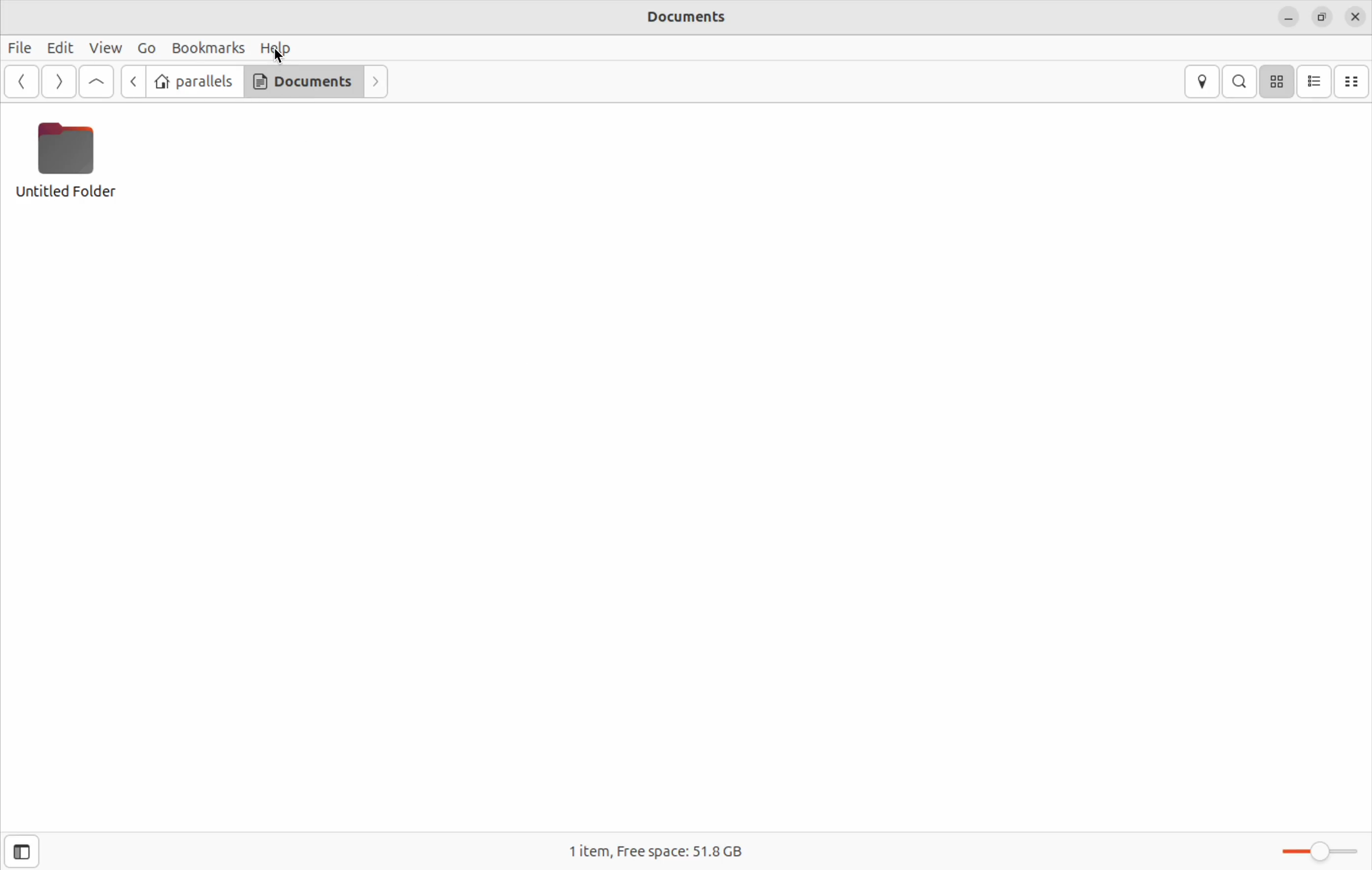 This screenshot has height=870, width=1372. What do you see at coordinates (300, 81) in the screenshot?
I see `Documents` at bounding box center [300, 81].